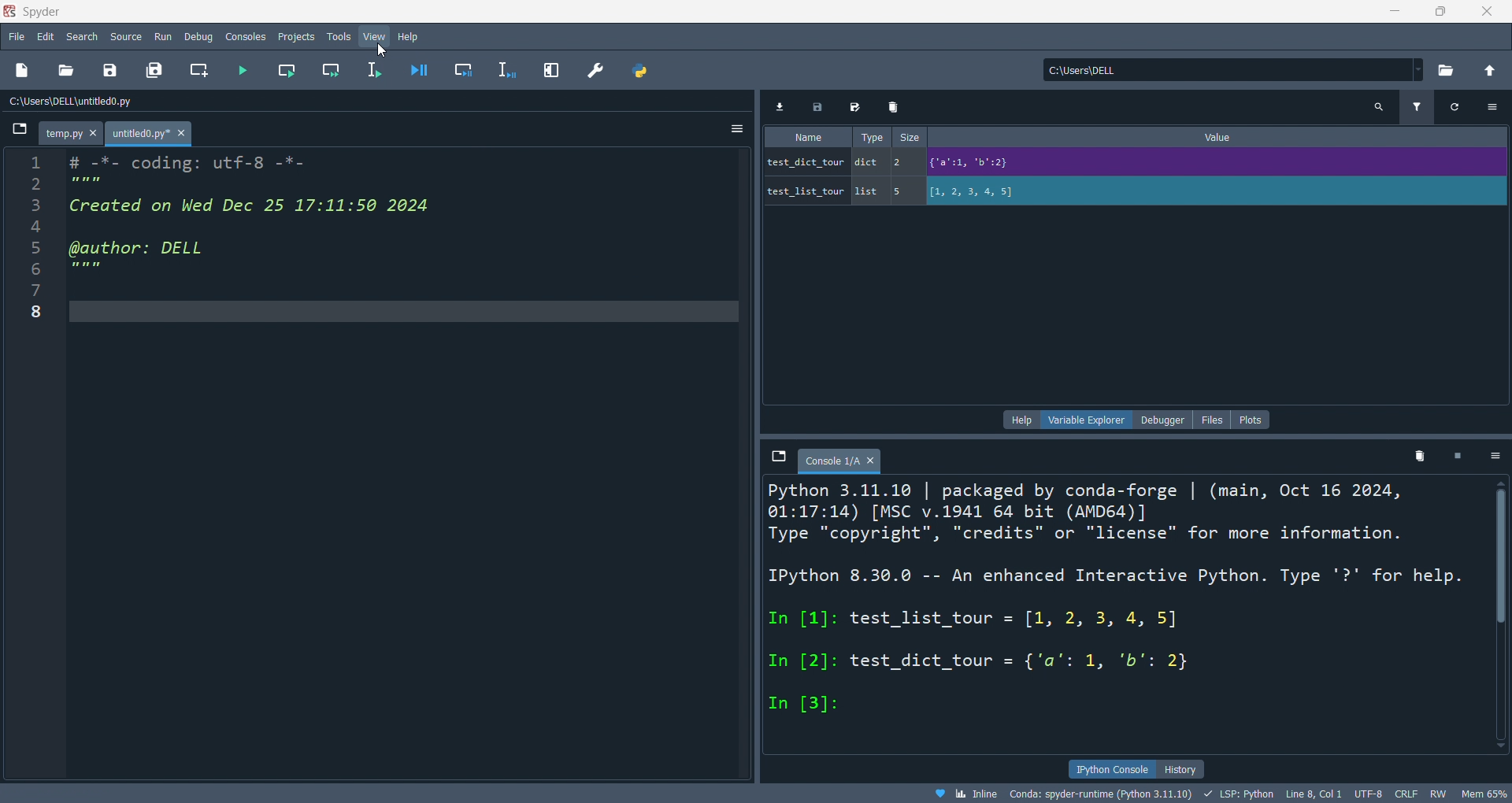 Image resolution: width=1512 pixels, height=803 pixels. Describe the element at coordinates (806, 165) in the screenshot. I see `name` at that location.